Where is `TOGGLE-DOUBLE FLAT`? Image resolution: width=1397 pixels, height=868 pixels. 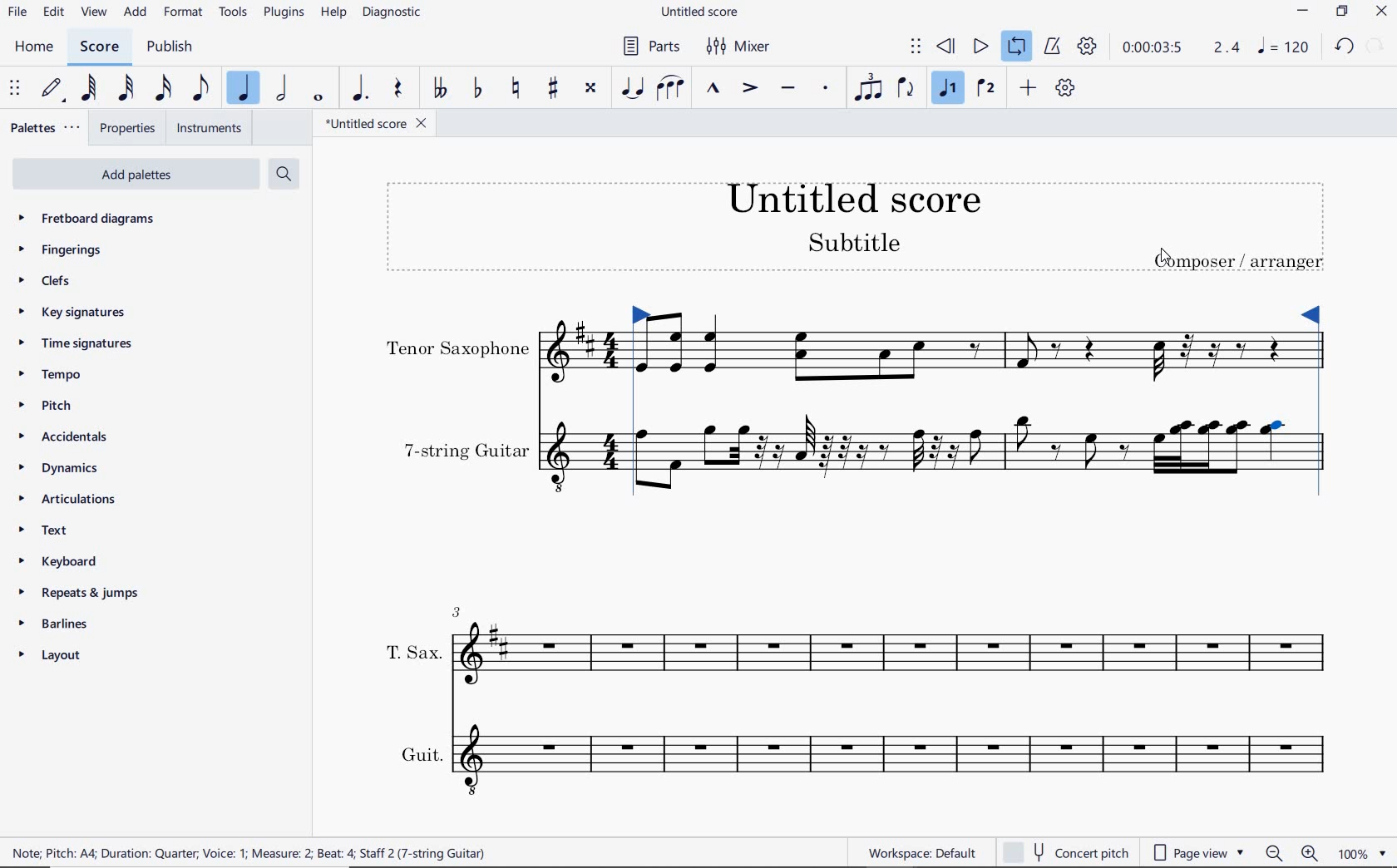
TOGGLE-DOUBLE FLAT is located at coordinates (439, 90).